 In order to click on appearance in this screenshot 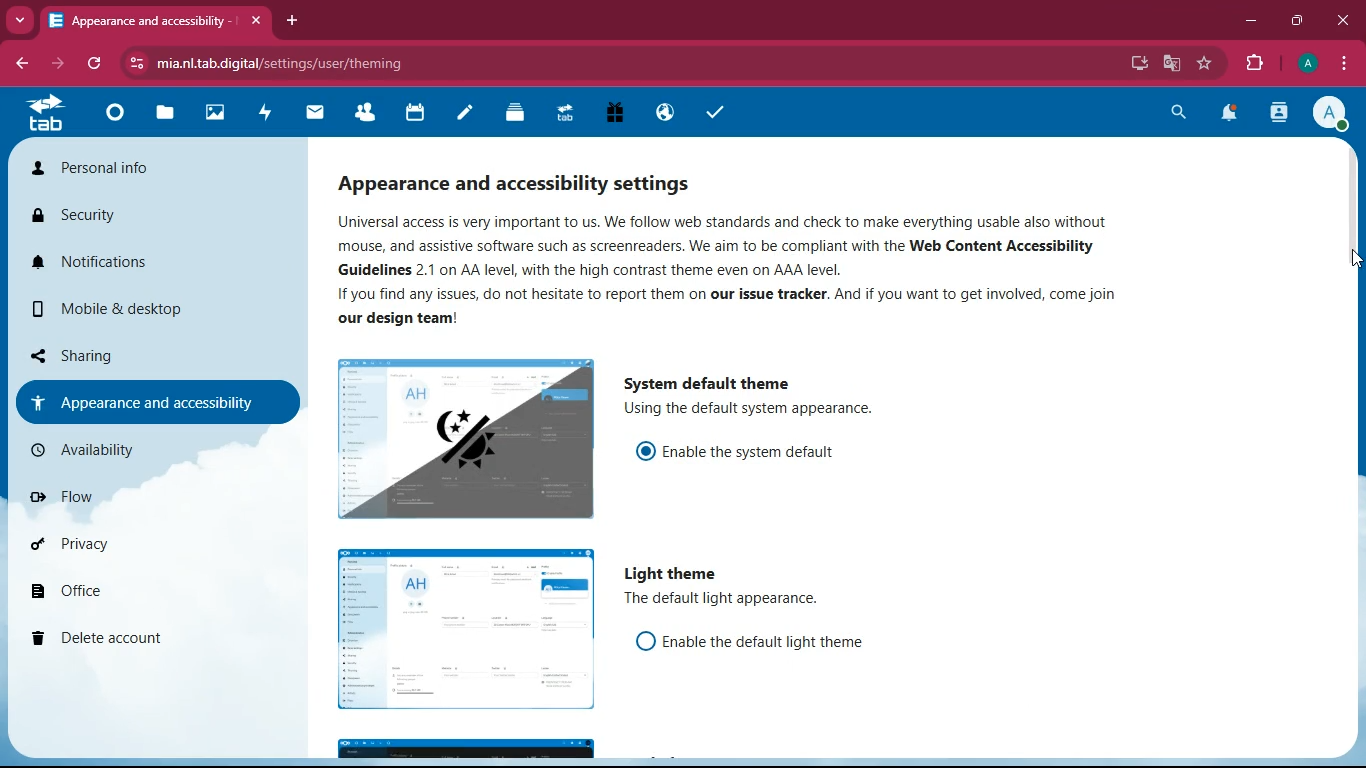, I will do `click(538, 179)`.